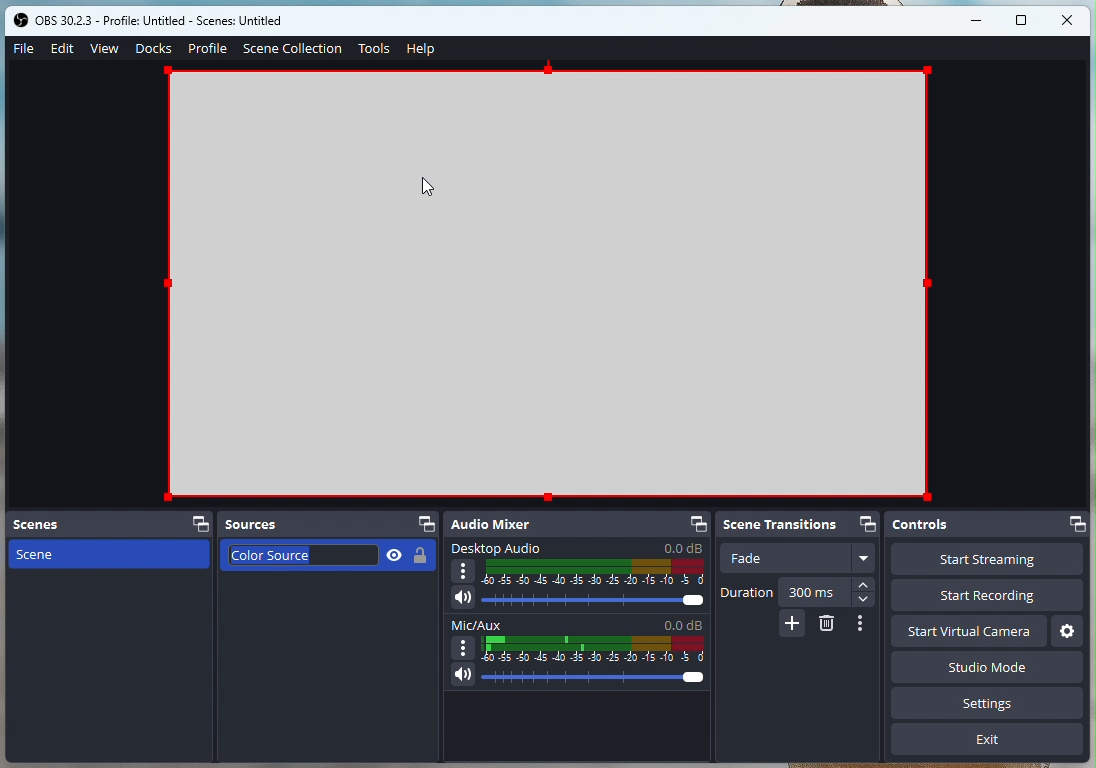 The image size is (1096, 768). I want to click on Color Source, so click(324, 557).